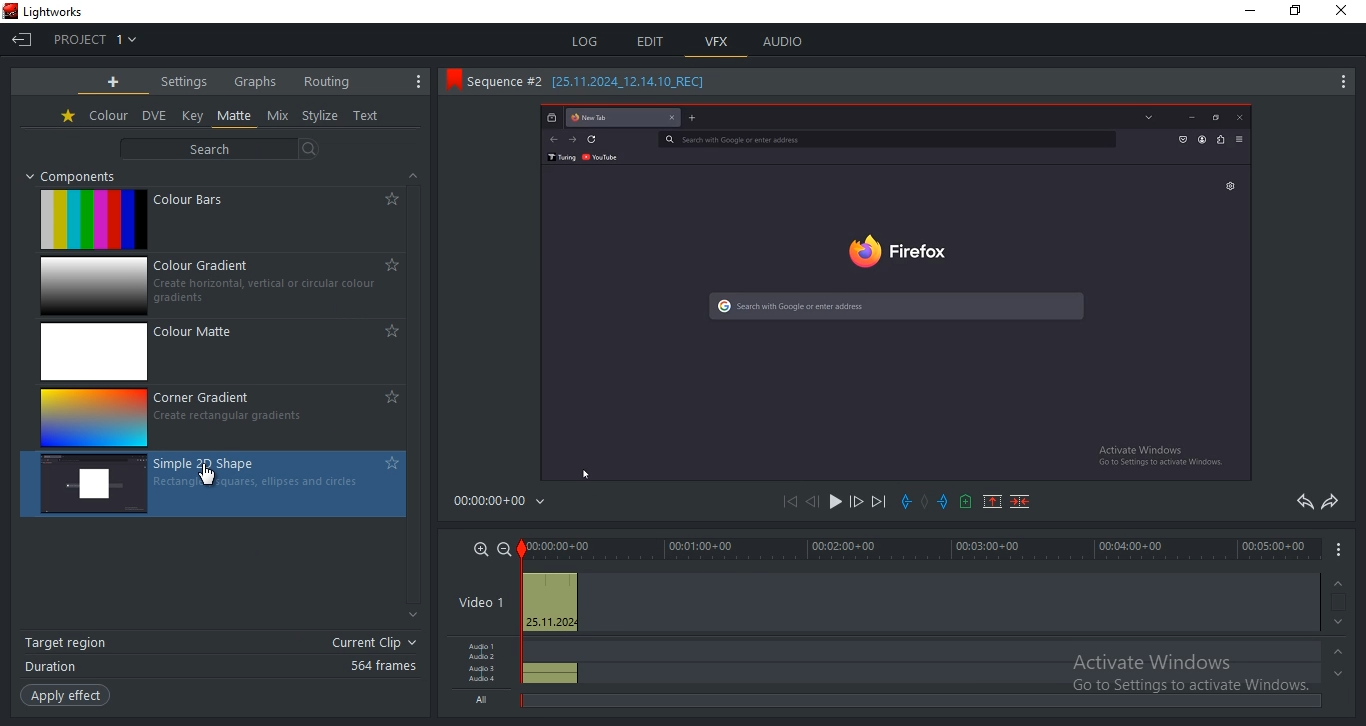 This screenshot has height=726, width=1366. What do you see at coordinates (114, 82) in the screenshot?
I see `add` at bounding box center [114, 82].